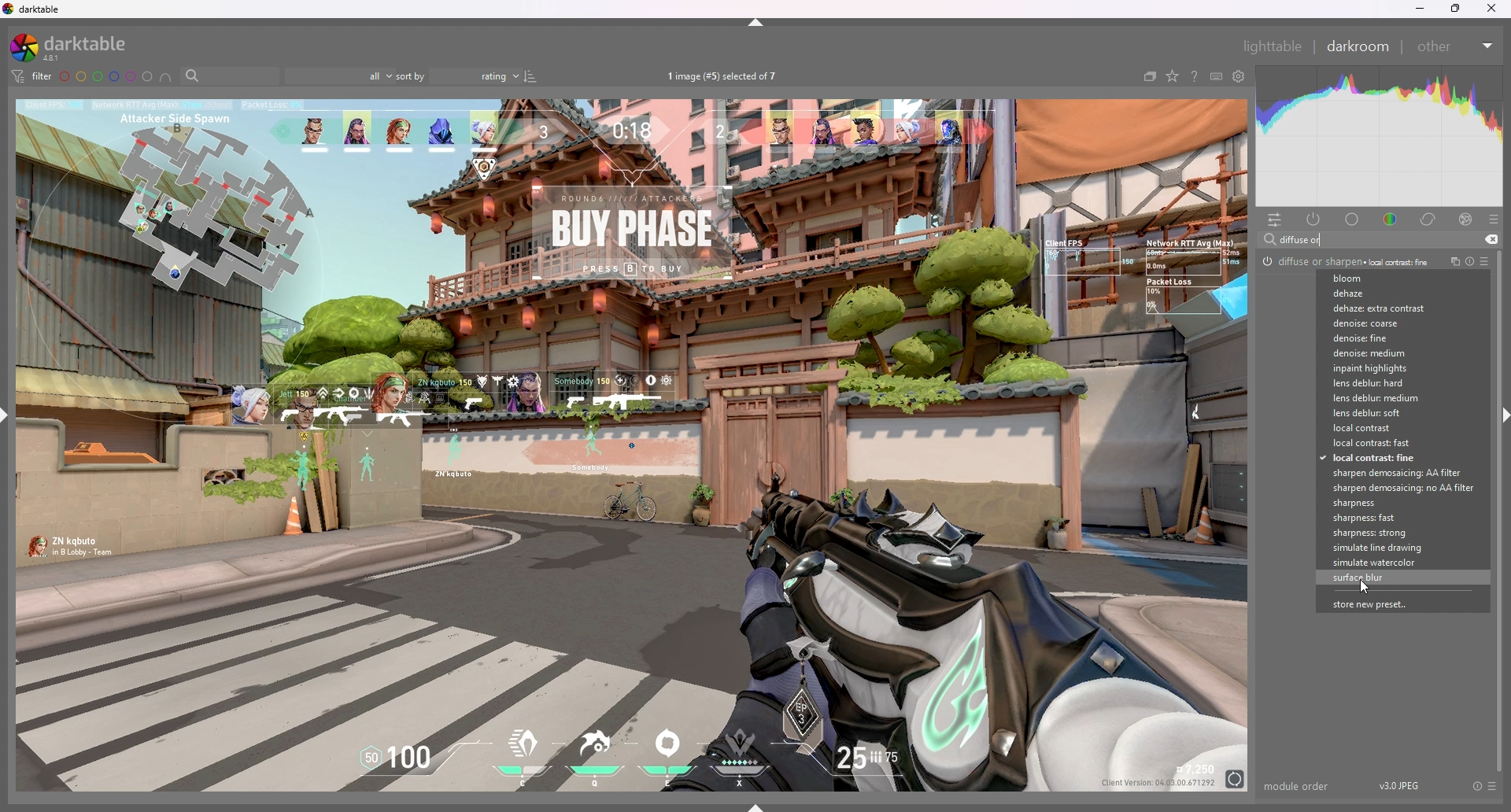  I want to click on local contrast fine, so click(1395, 459).